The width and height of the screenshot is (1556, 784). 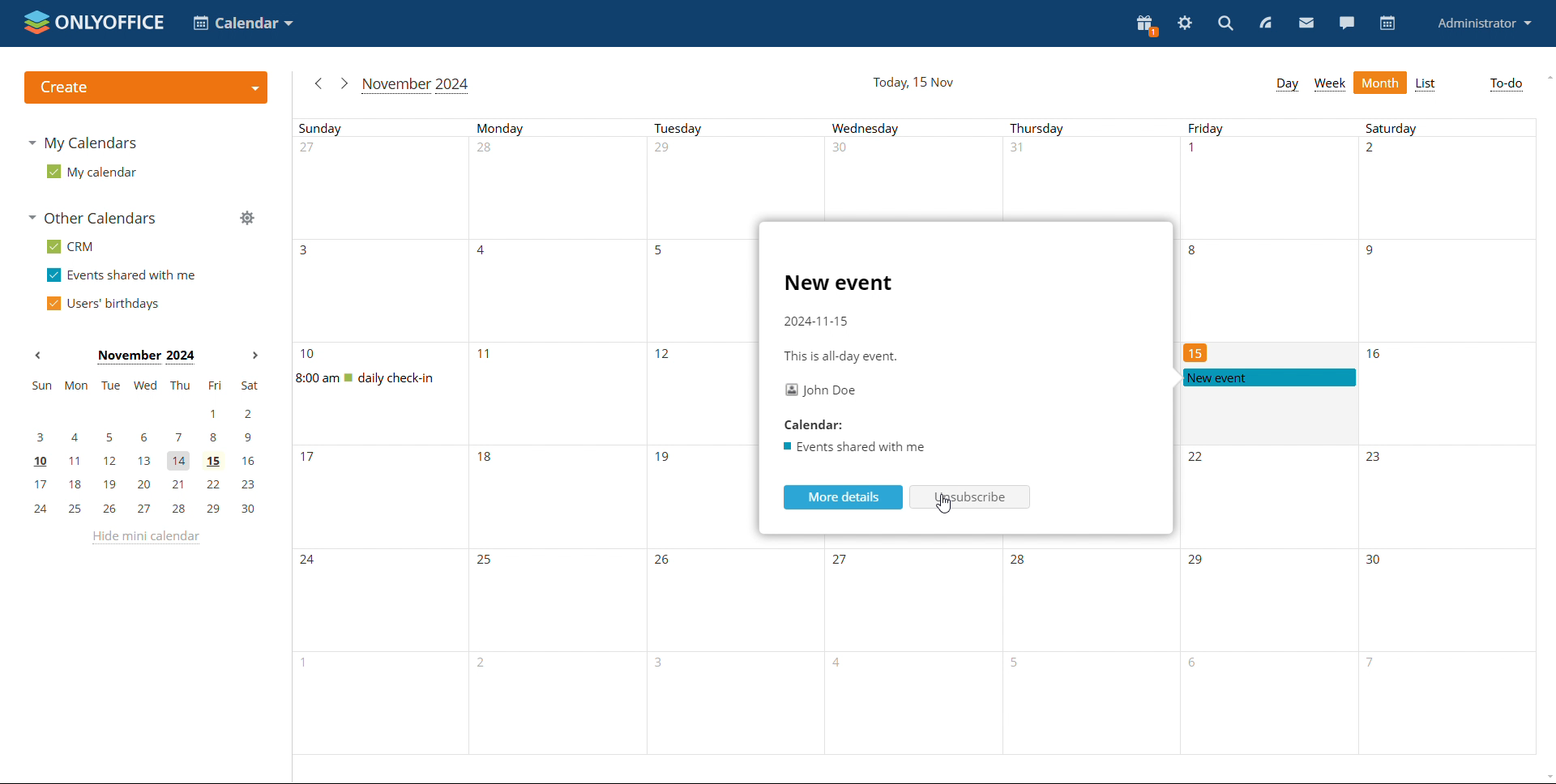 What do you see at coordinates (840, 150) in the screenshot?
I see `Number` at bounding box center [840, 150].